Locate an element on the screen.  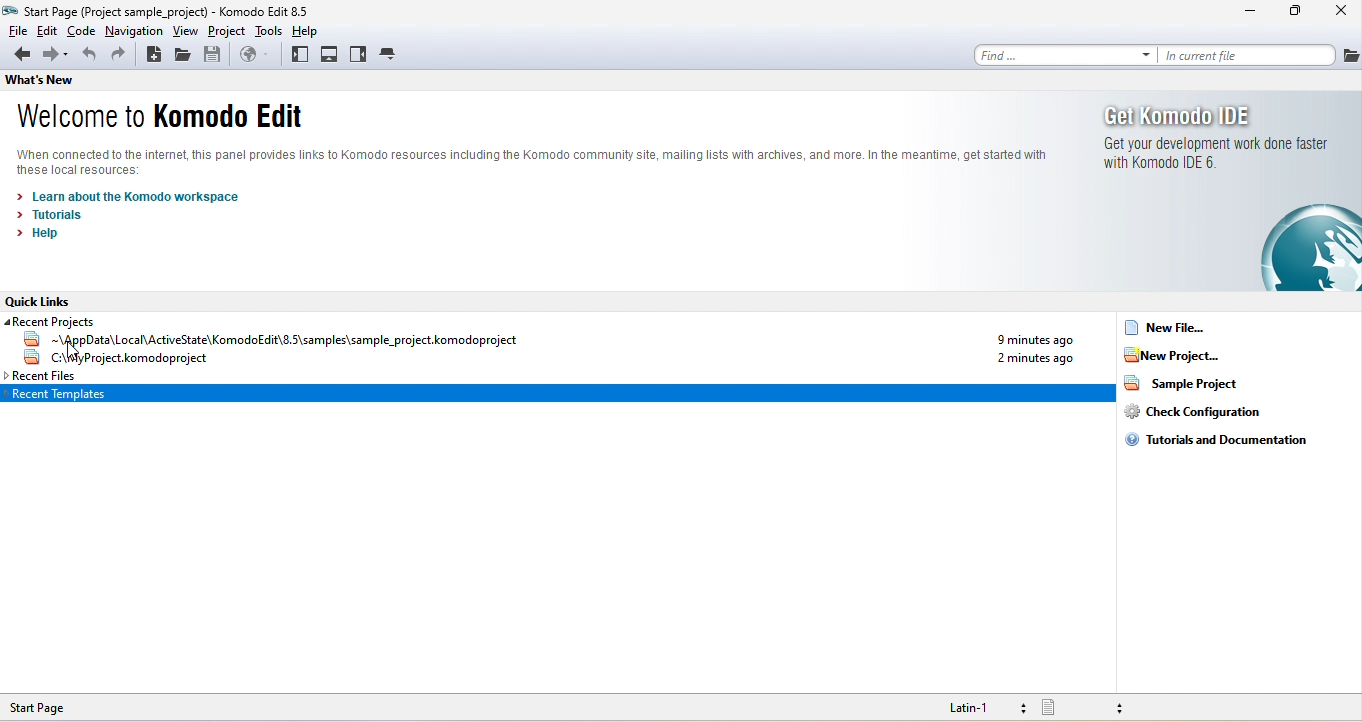
welcome comodo edit is located at coordinates (173, 119).